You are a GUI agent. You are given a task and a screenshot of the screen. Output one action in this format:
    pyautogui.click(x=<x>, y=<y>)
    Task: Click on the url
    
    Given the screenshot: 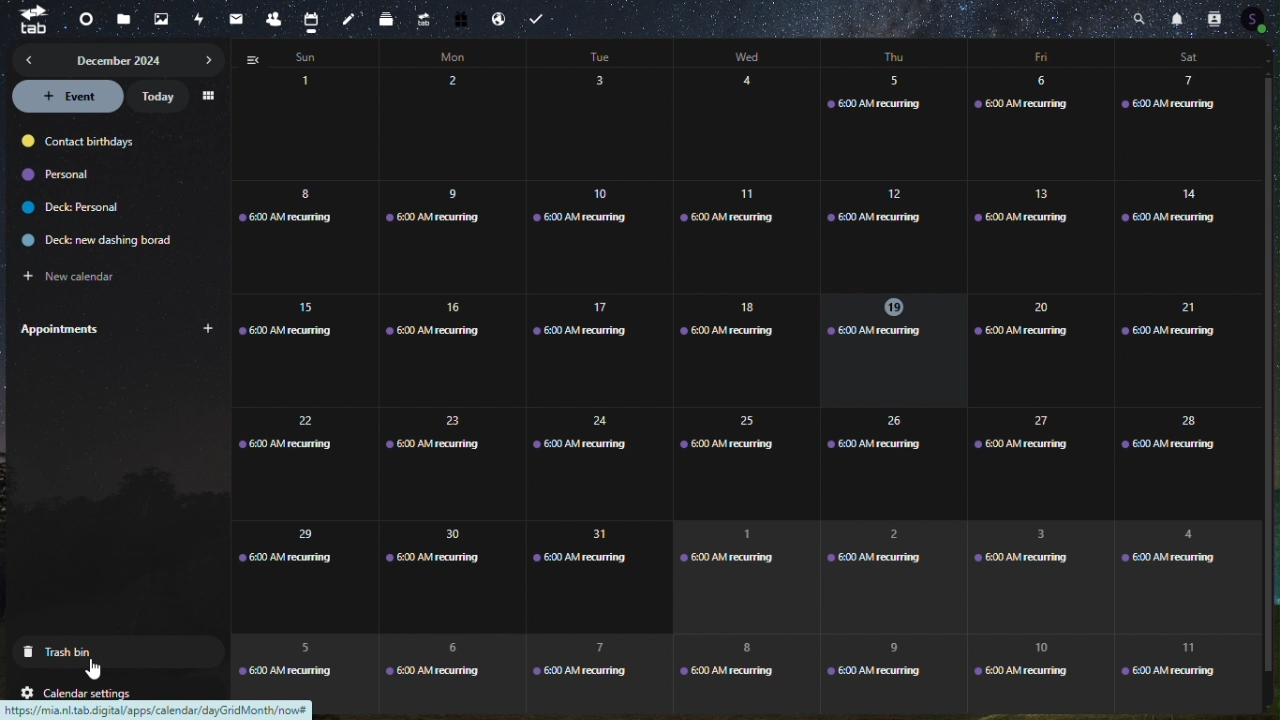 What is the action you would take?
    pyautogui.click(x=157, y=711)
    